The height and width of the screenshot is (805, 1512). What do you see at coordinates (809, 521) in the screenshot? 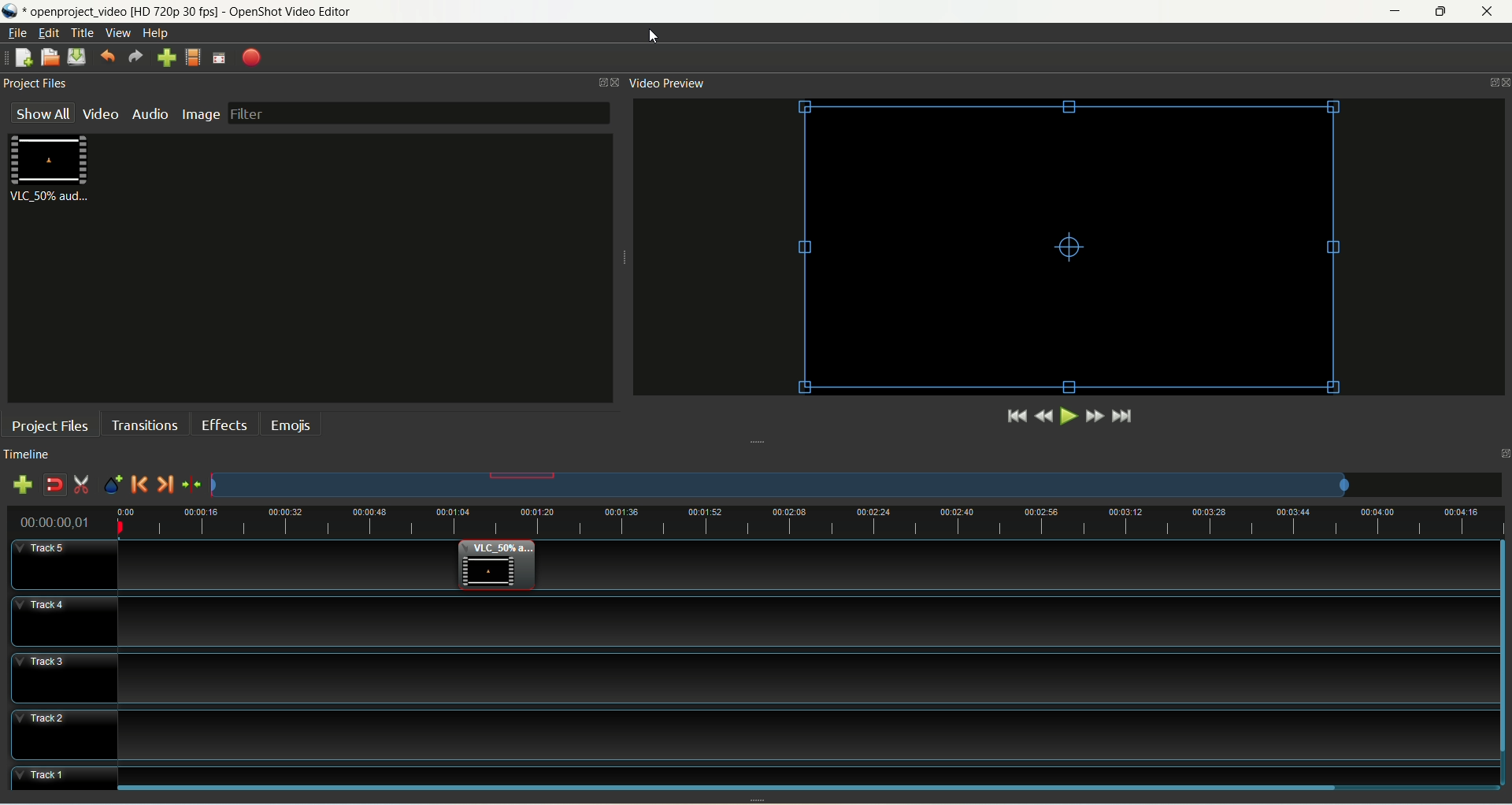
I see `zoom factor` at bounding box center [809, 521].